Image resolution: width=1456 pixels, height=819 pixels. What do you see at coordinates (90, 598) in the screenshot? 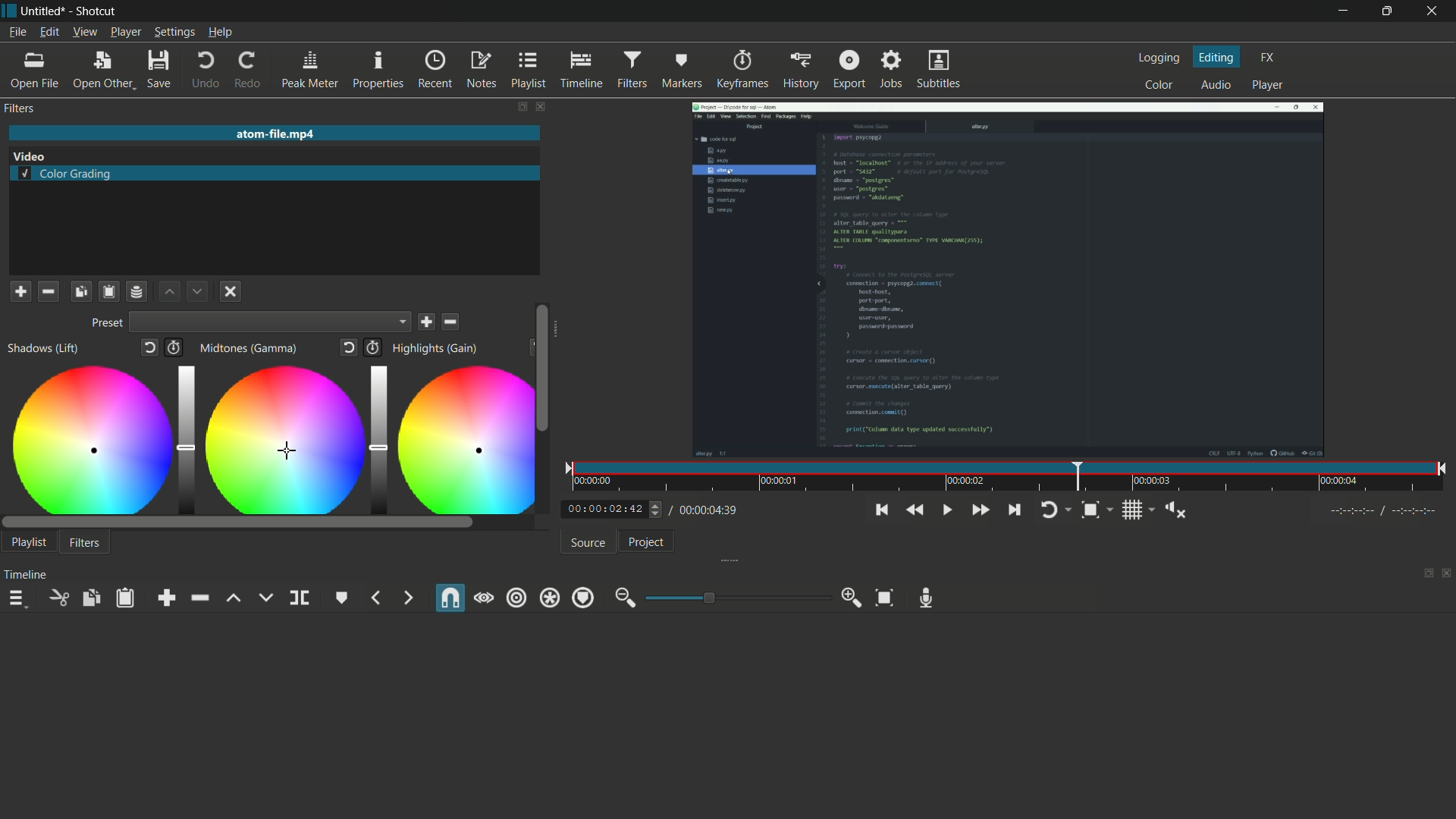
I see `copy` at bounding box center [90, 598].